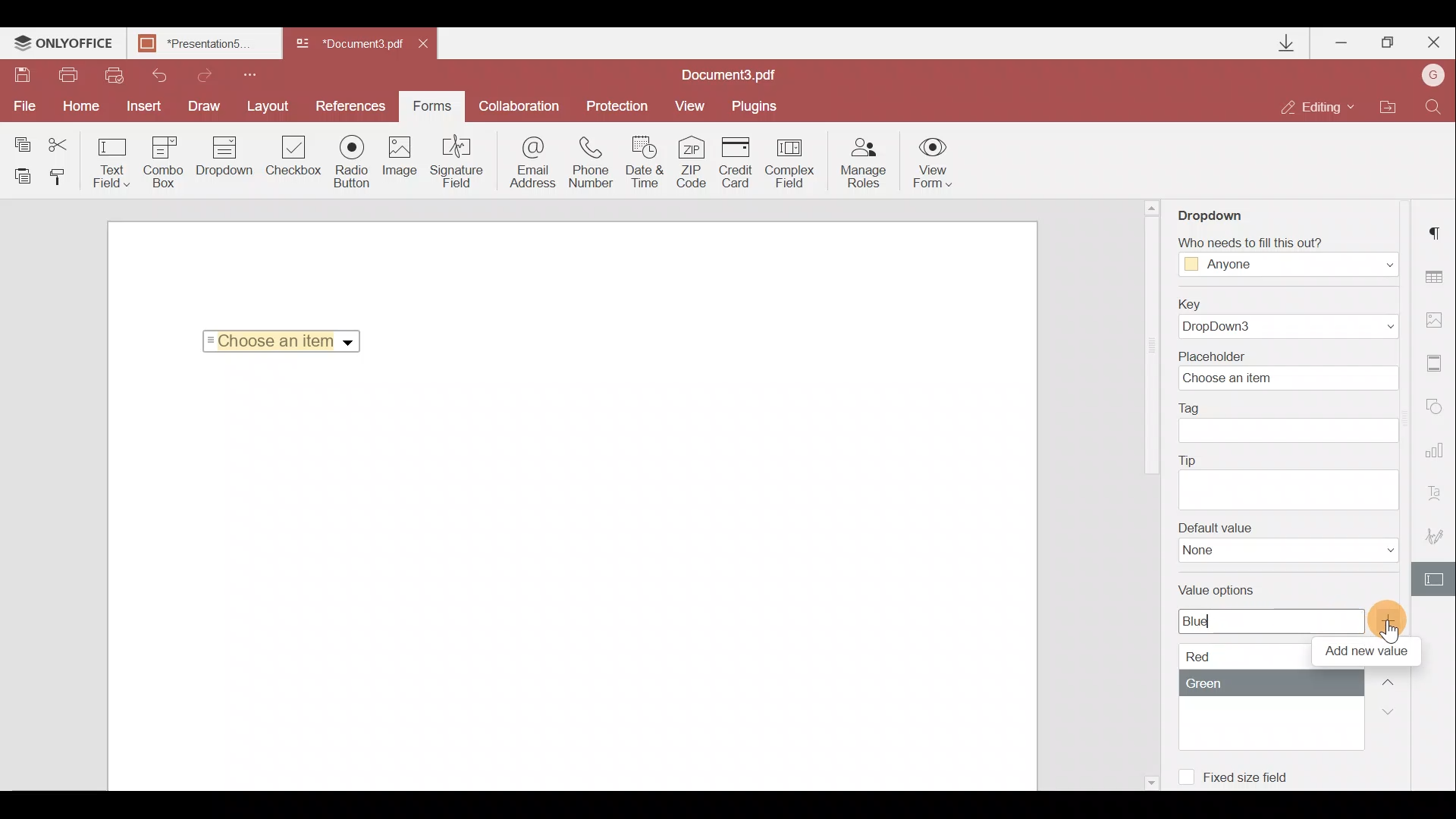 The width and height of the screenshot is (1456, 819). Describe the element at coordinates (294, 157) in the screenshot. I see `Checkbox` at that location.